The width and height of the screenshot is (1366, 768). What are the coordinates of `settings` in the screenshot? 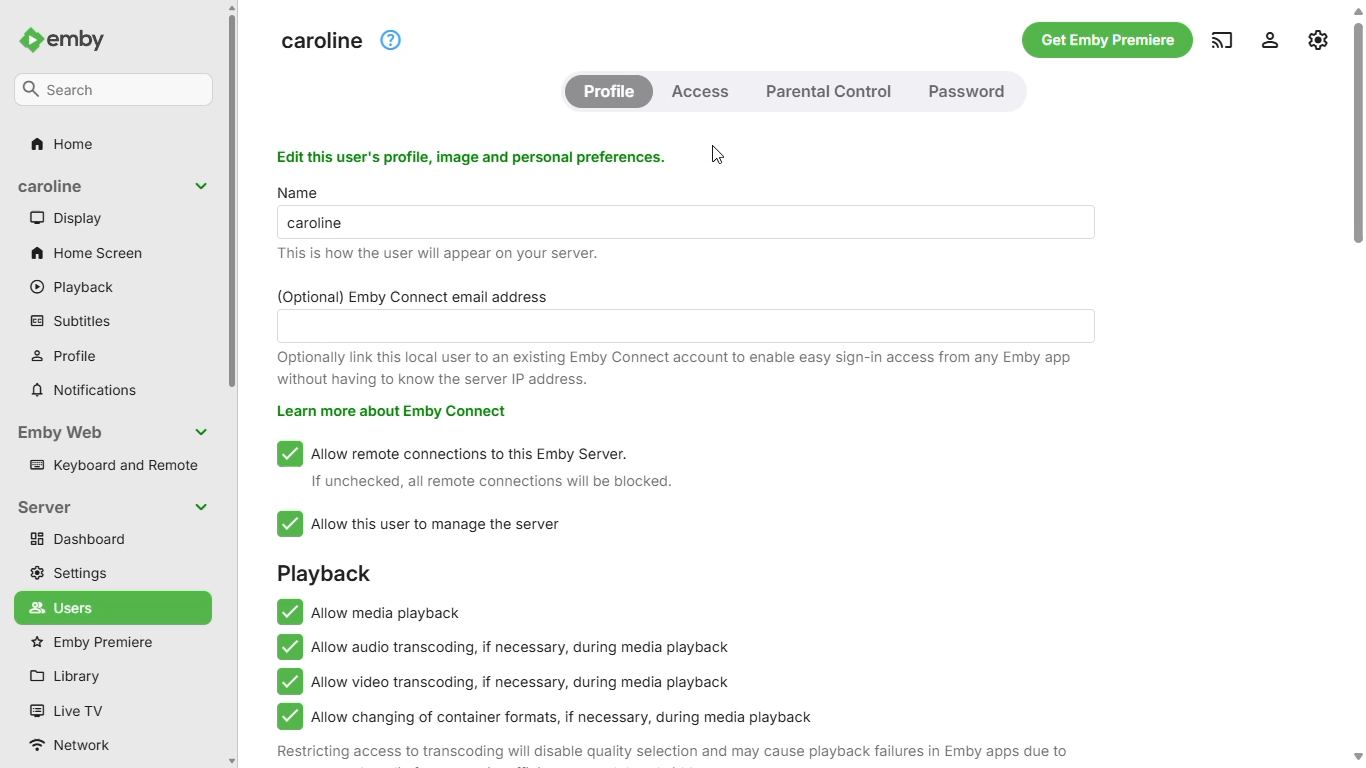 It's located at (1270, 39).